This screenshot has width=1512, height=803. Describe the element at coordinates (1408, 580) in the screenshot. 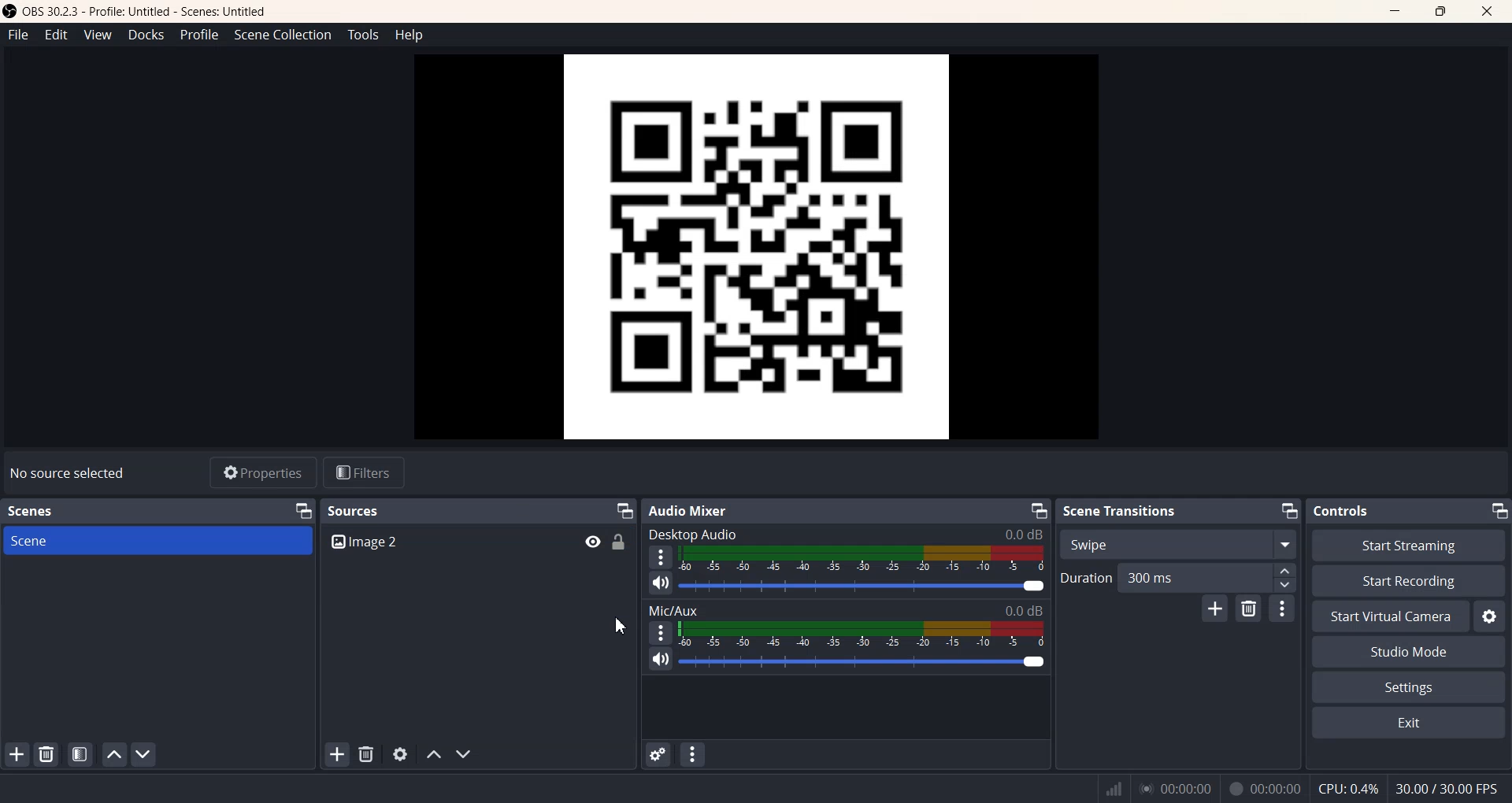

I see `Start Recording` at that location.